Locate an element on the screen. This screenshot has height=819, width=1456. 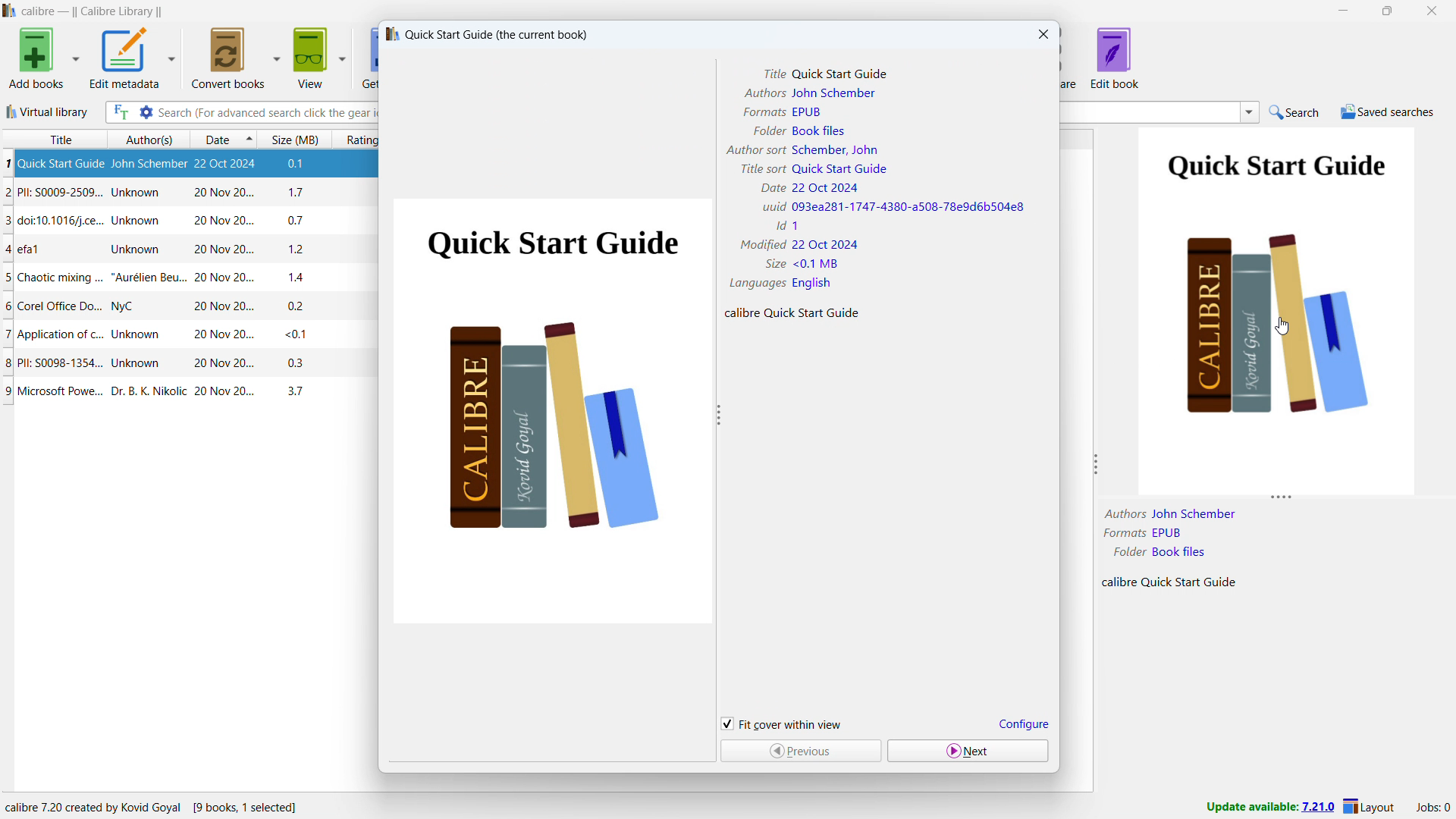
Application of c... Unknown is located at coordinates (81, 336).